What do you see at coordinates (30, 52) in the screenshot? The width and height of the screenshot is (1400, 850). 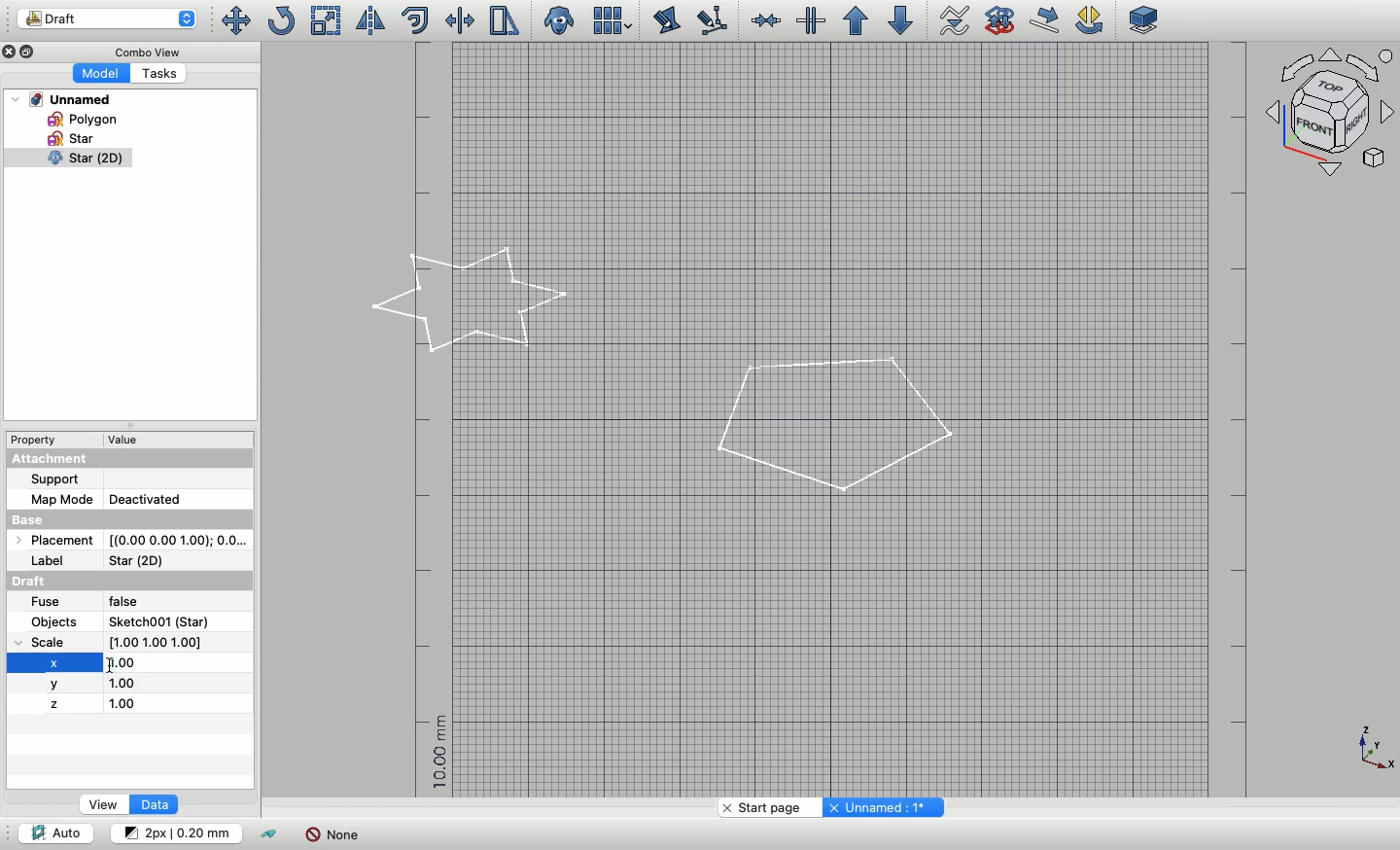 I see `Collapse` at bounding box center [30, 52].